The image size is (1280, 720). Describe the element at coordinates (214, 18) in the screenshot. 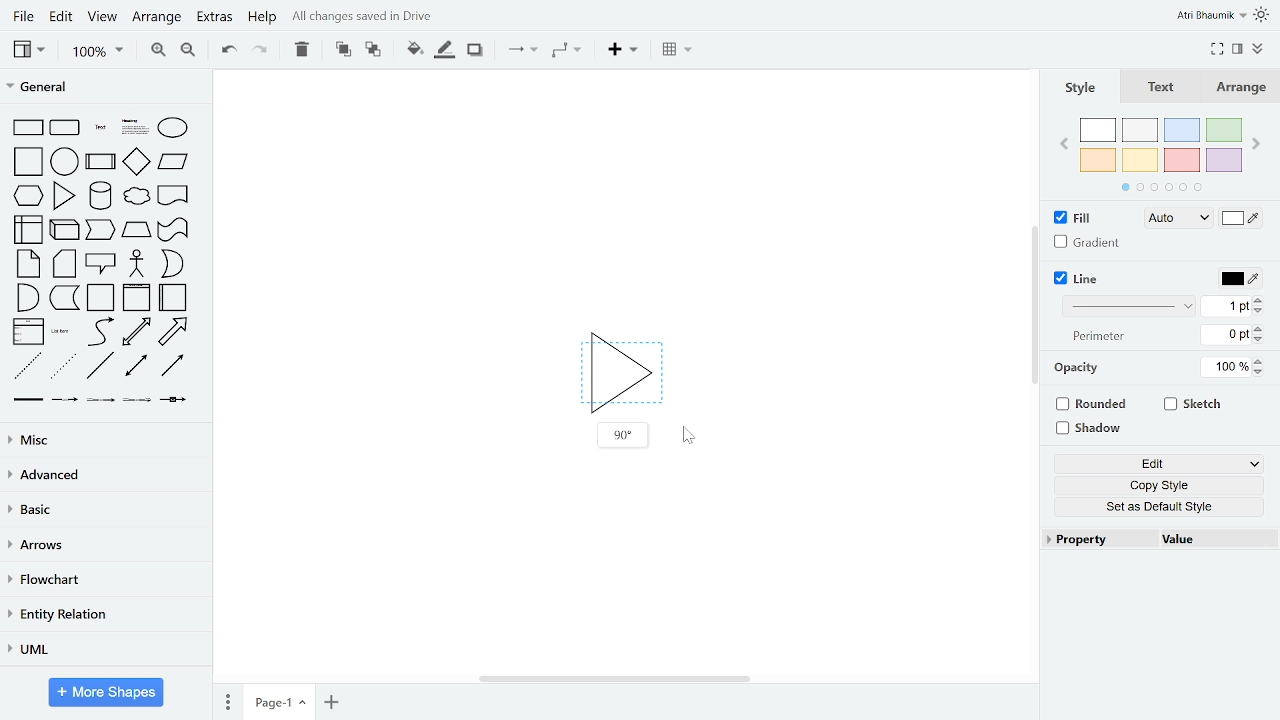

I see `extras` at that location.